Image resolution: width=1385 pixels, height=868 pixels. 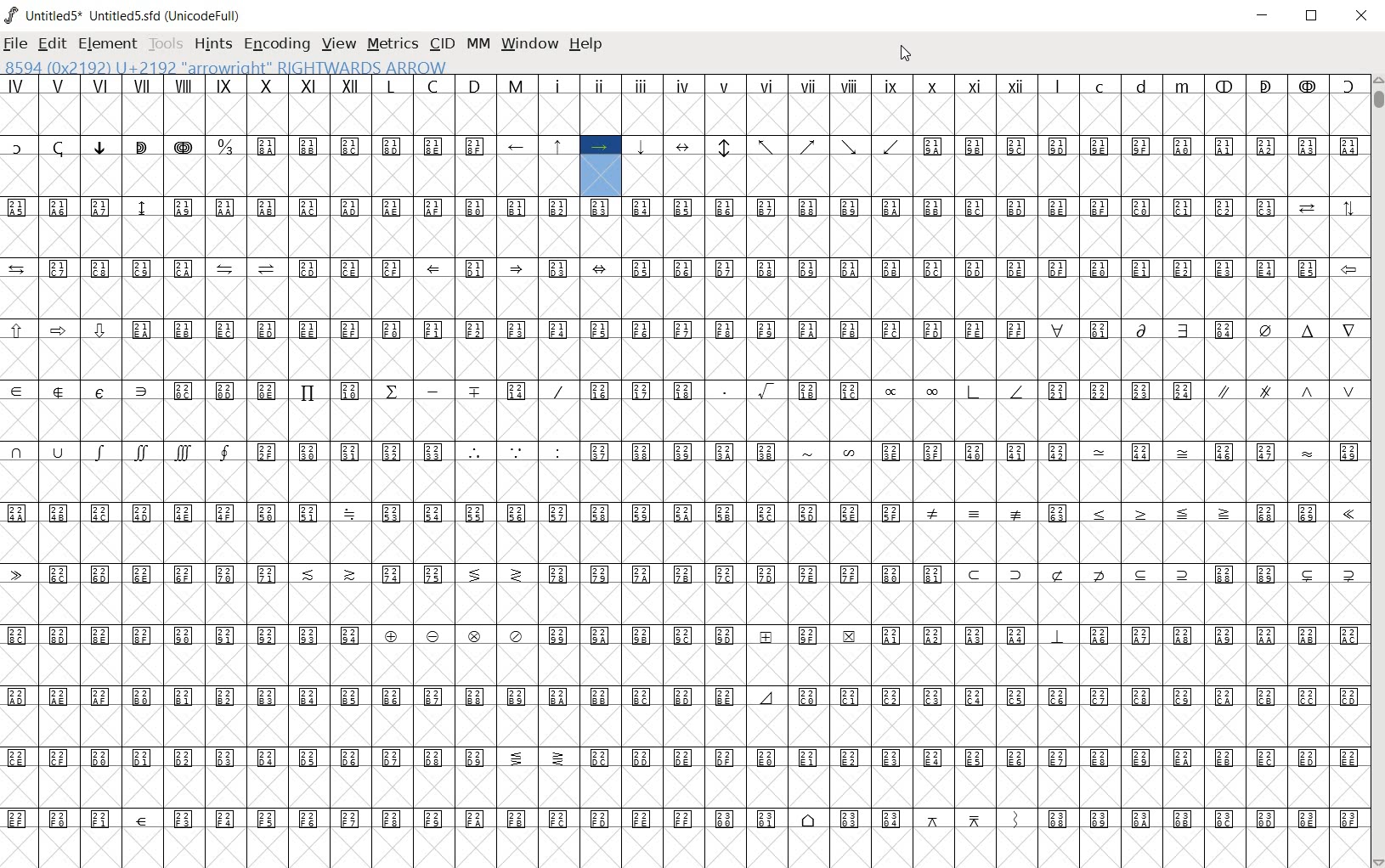 What do you see at coordinates (337, 44) in the screenshot?
I see `VIEW` at bounding box center [337, 44].